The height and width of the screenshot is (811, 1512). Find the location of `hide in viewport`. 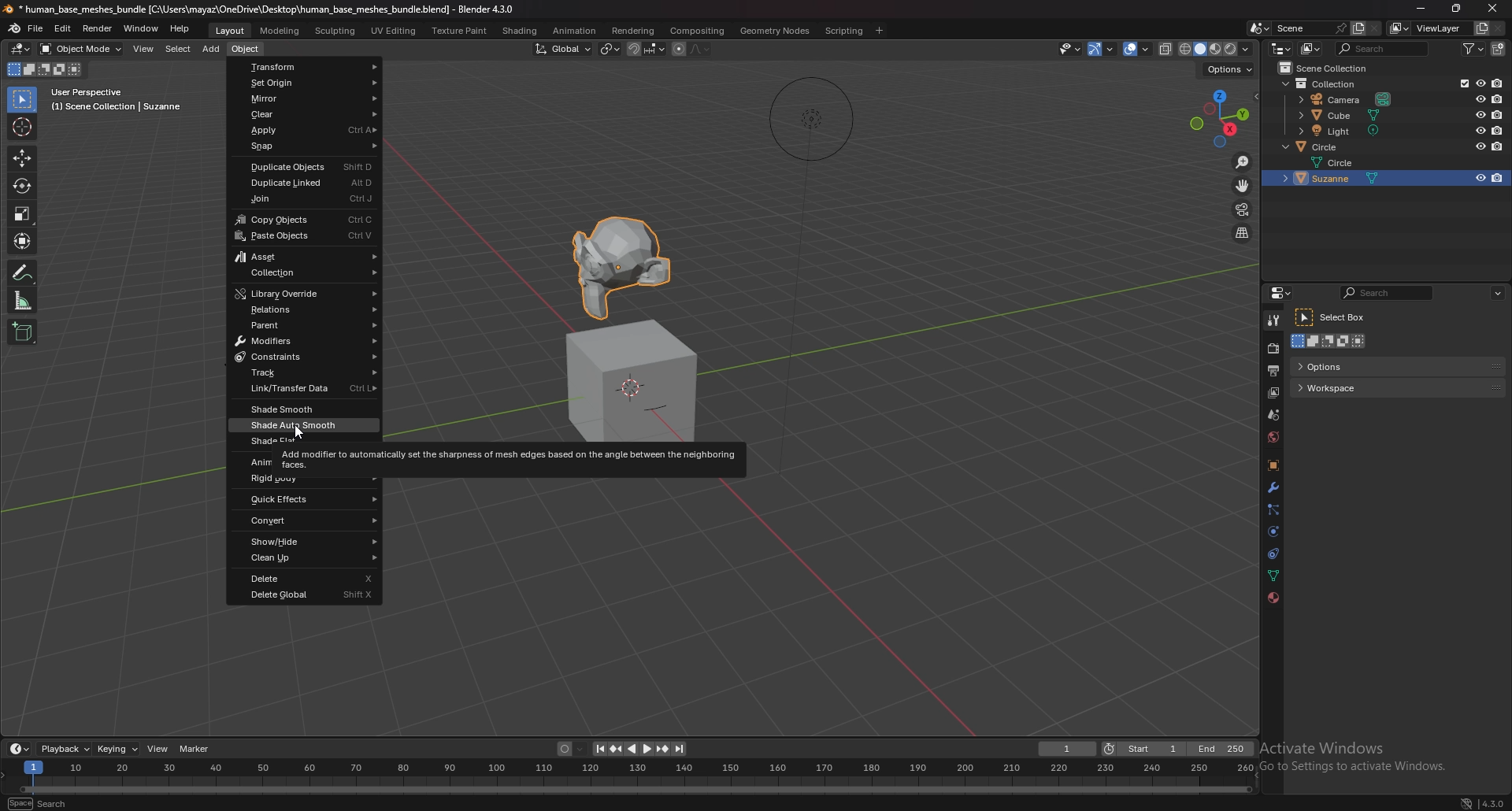

hide in viewport is located at coordinates (1479, 130).